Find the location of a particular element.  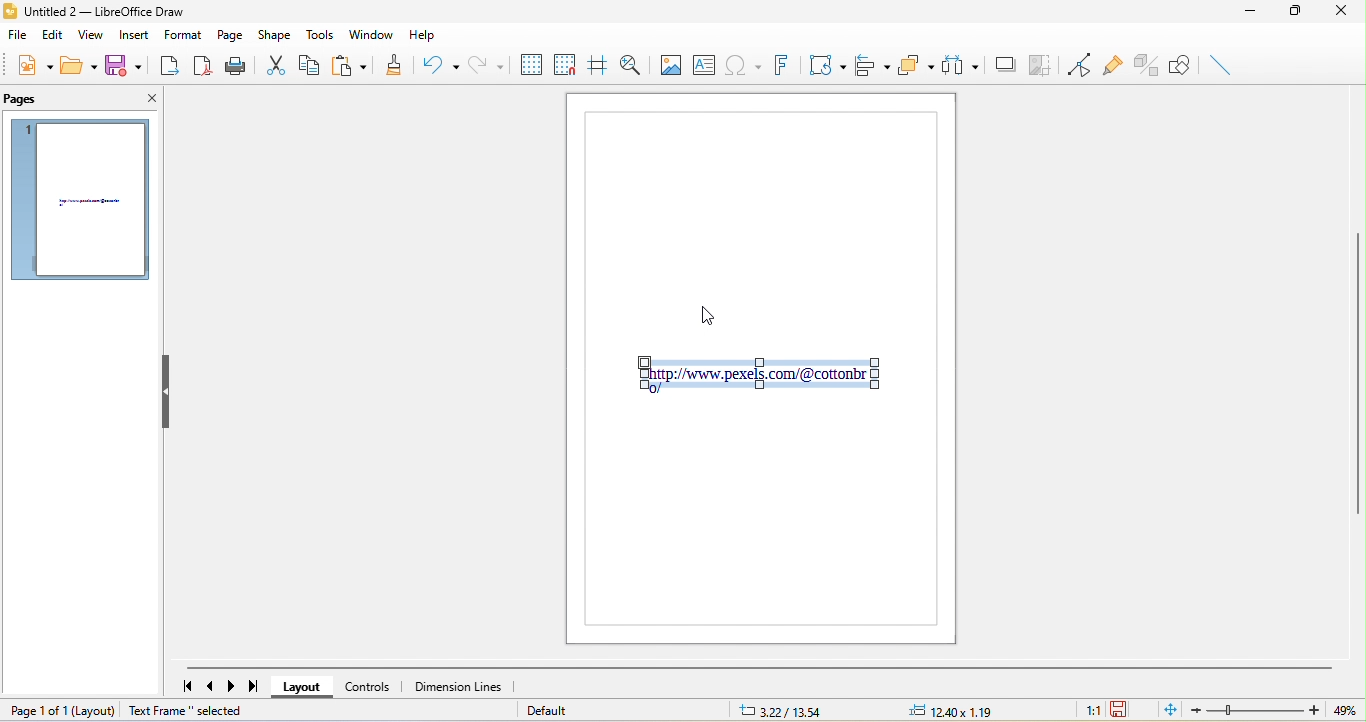

cursor  is located at coordinates (711, 313).